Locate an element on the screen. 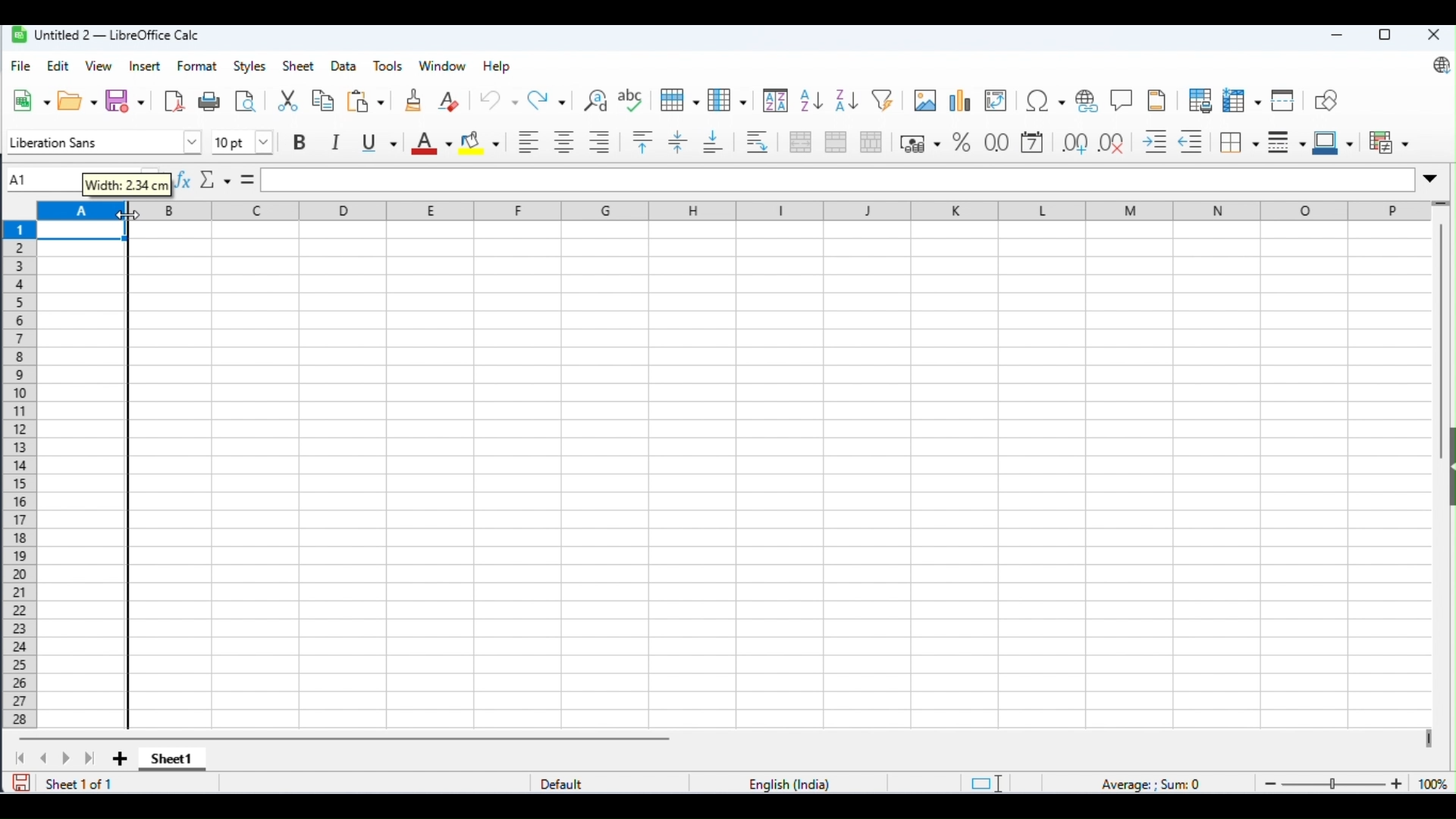 This screenshot has height=819, width=1456. view is located at coordinates (99, 65).